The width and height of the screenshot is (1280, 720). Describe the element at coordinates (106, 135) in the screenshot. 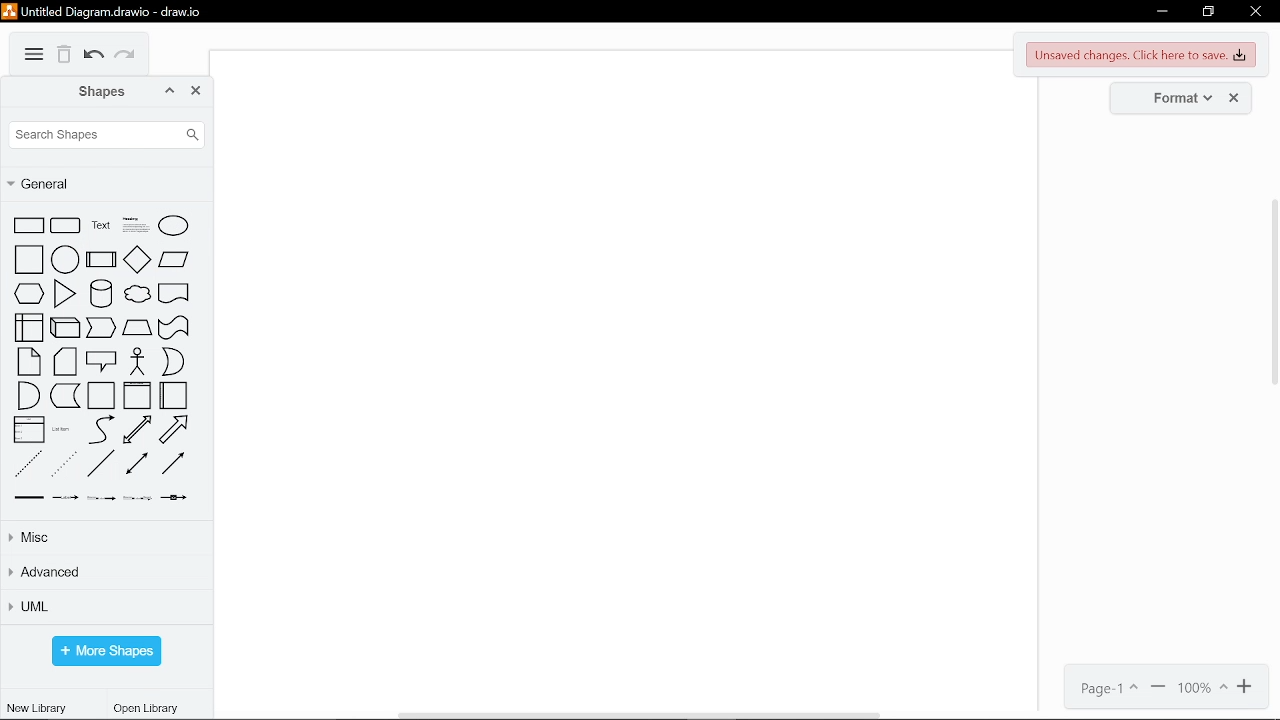

I see `search shapes` at that location.